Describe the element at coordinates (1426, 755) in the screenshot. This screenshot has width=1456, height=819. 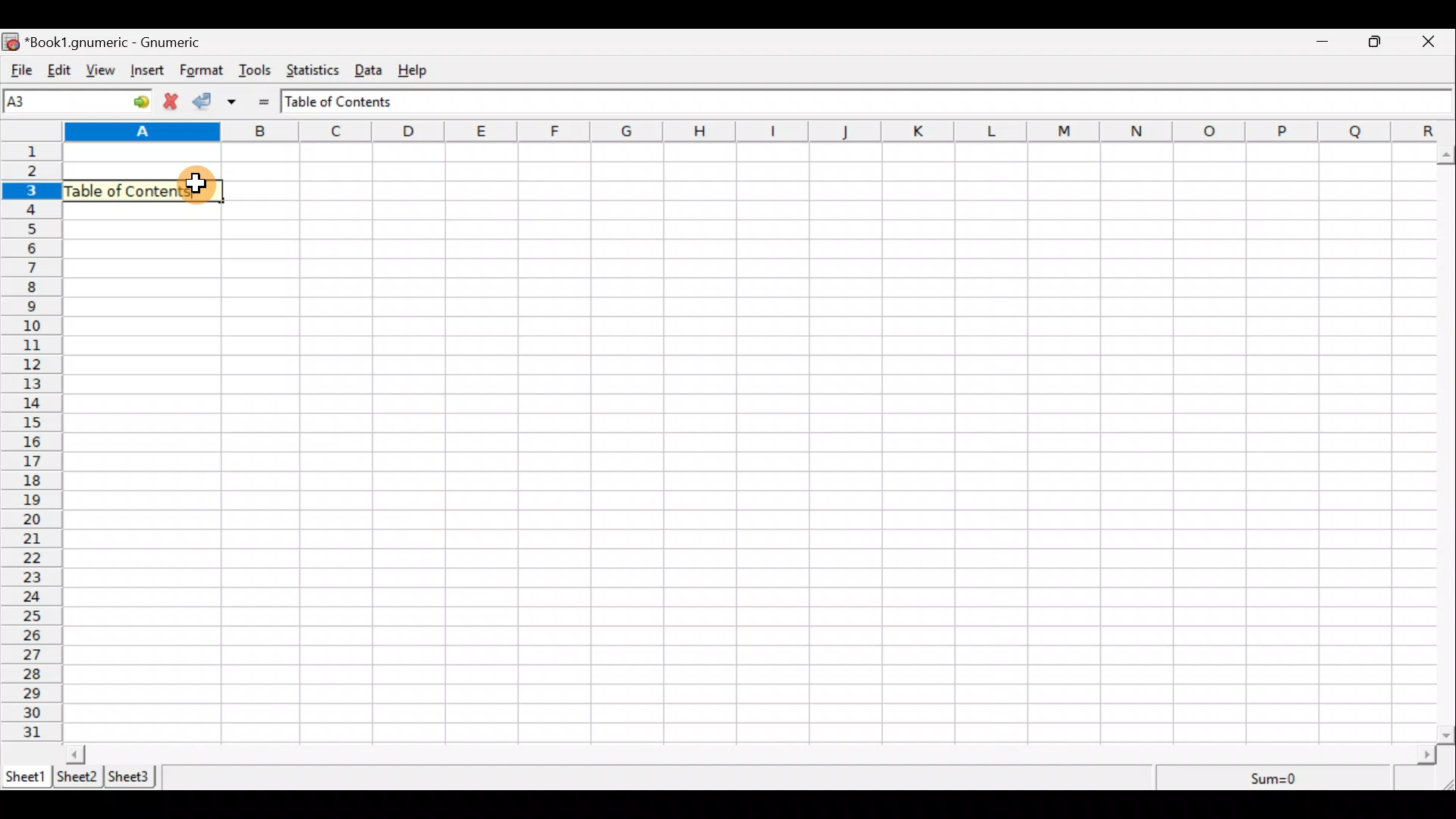
I see `scroll right` at that location.